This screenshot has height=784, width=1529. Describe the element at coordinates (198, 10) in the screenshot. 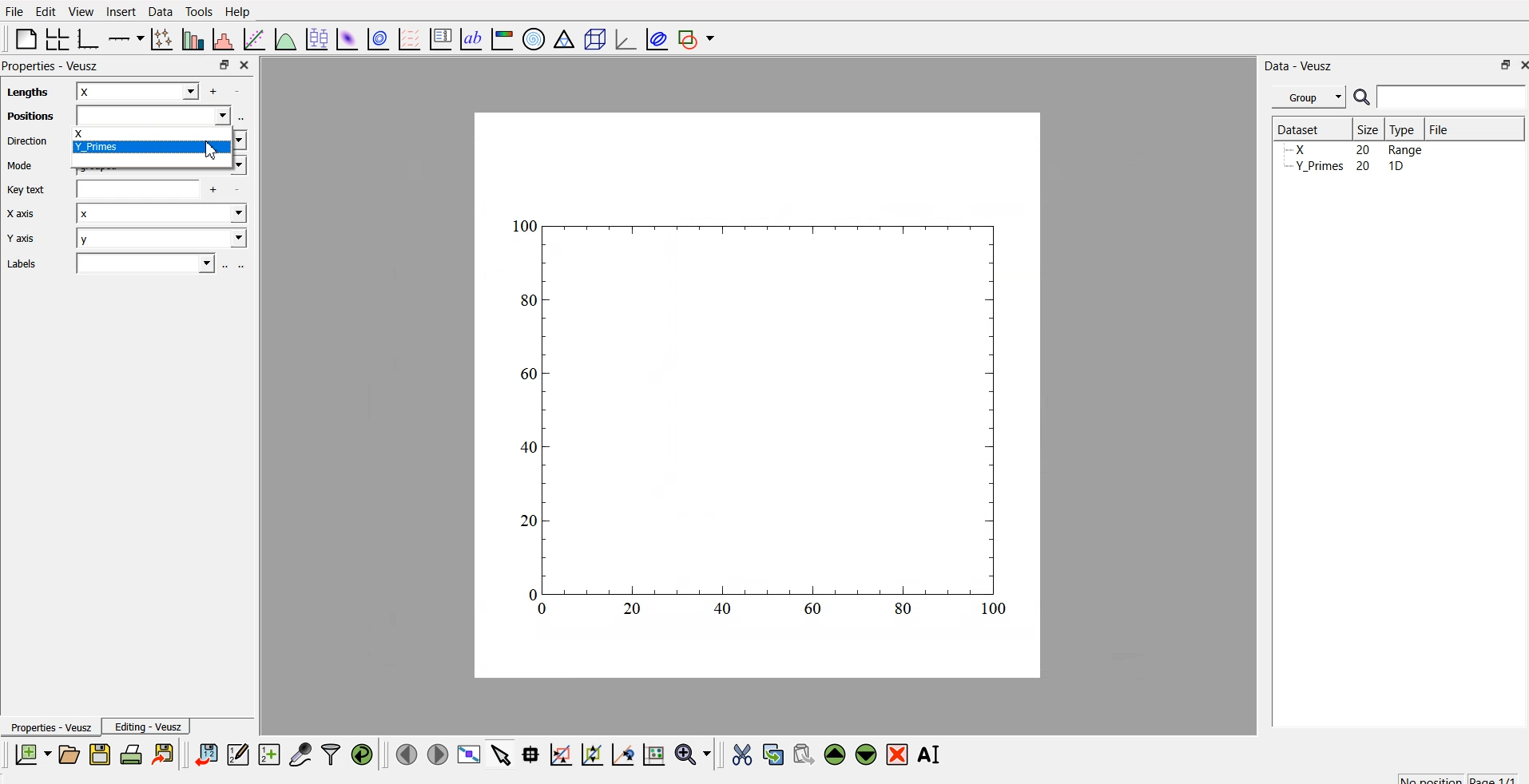

I see `Tools` at that location.